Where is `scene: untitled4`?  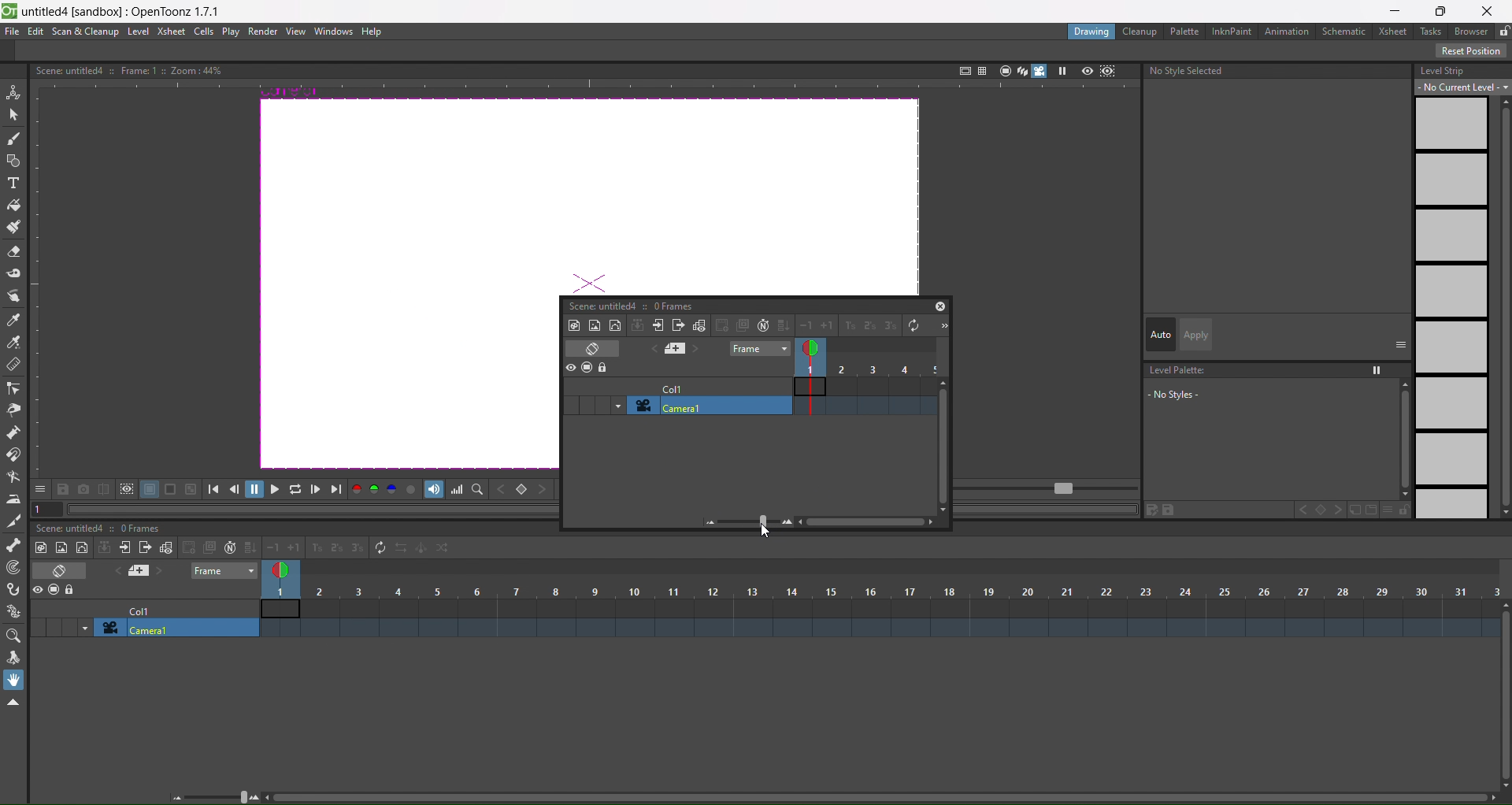
scene: untitled4 is located at coordinates (599, 305).